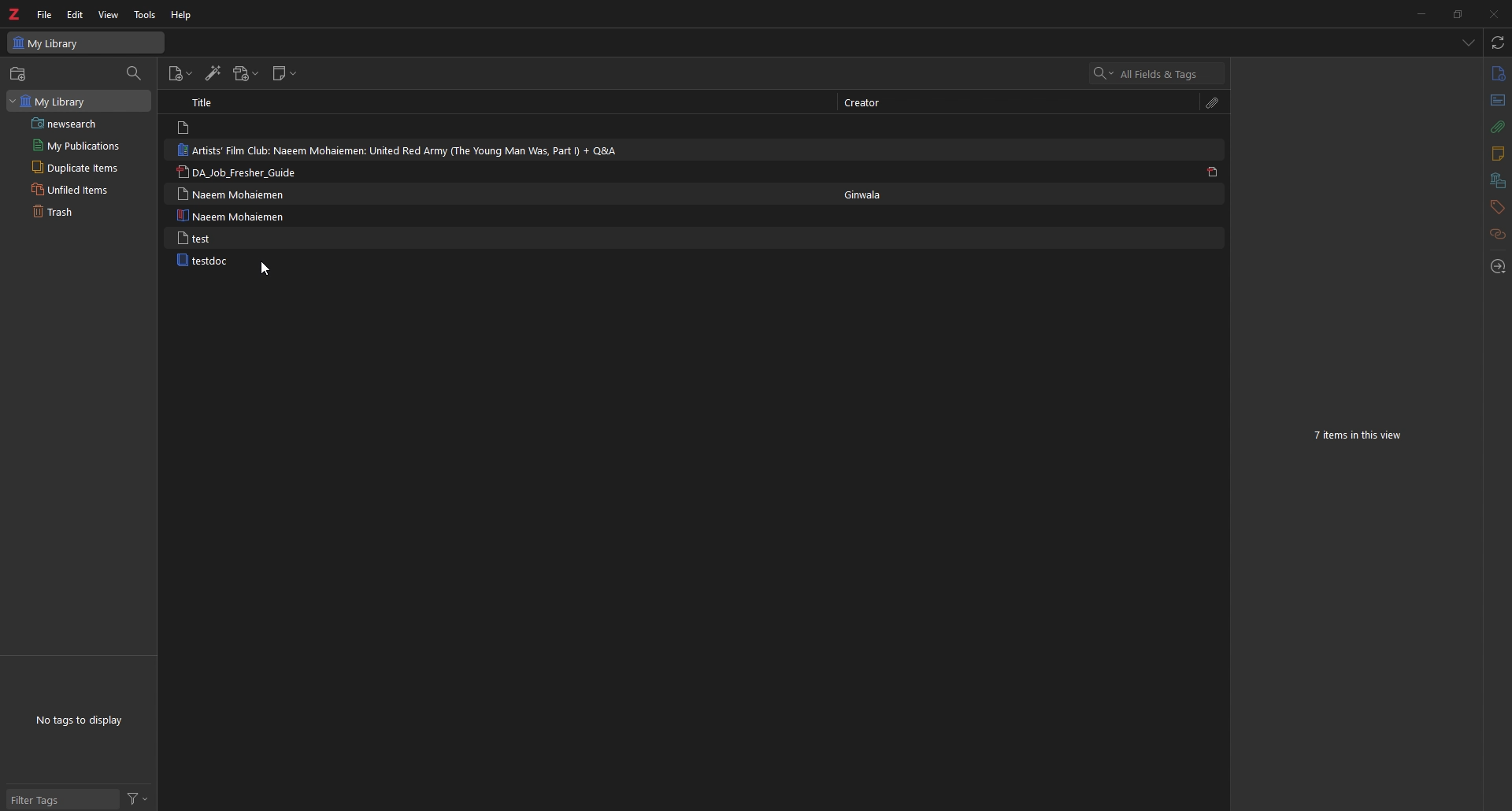  I want to click on No tags to display, so click(83, 719).